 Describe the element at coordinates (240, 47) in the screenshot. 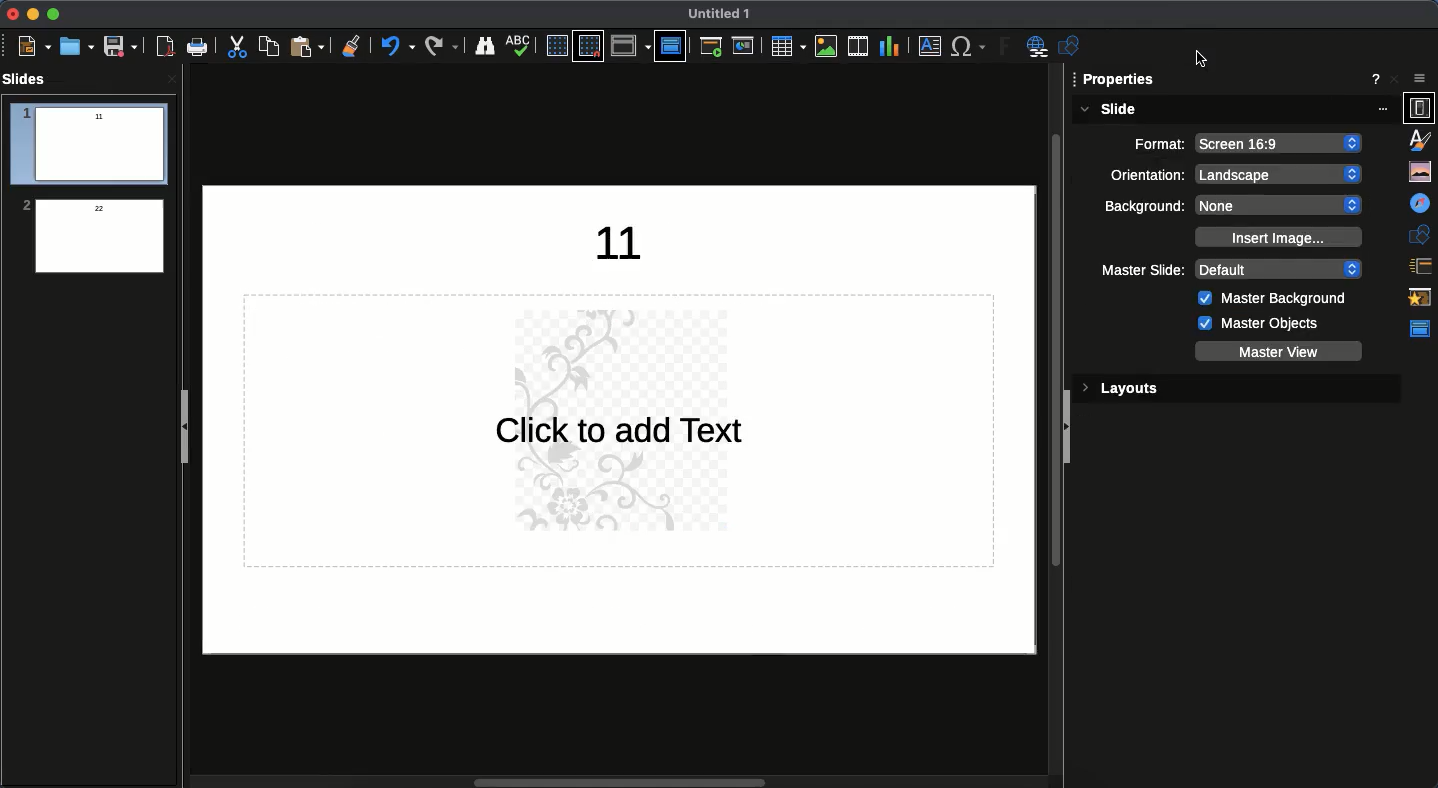

I see `Cut` at that location.